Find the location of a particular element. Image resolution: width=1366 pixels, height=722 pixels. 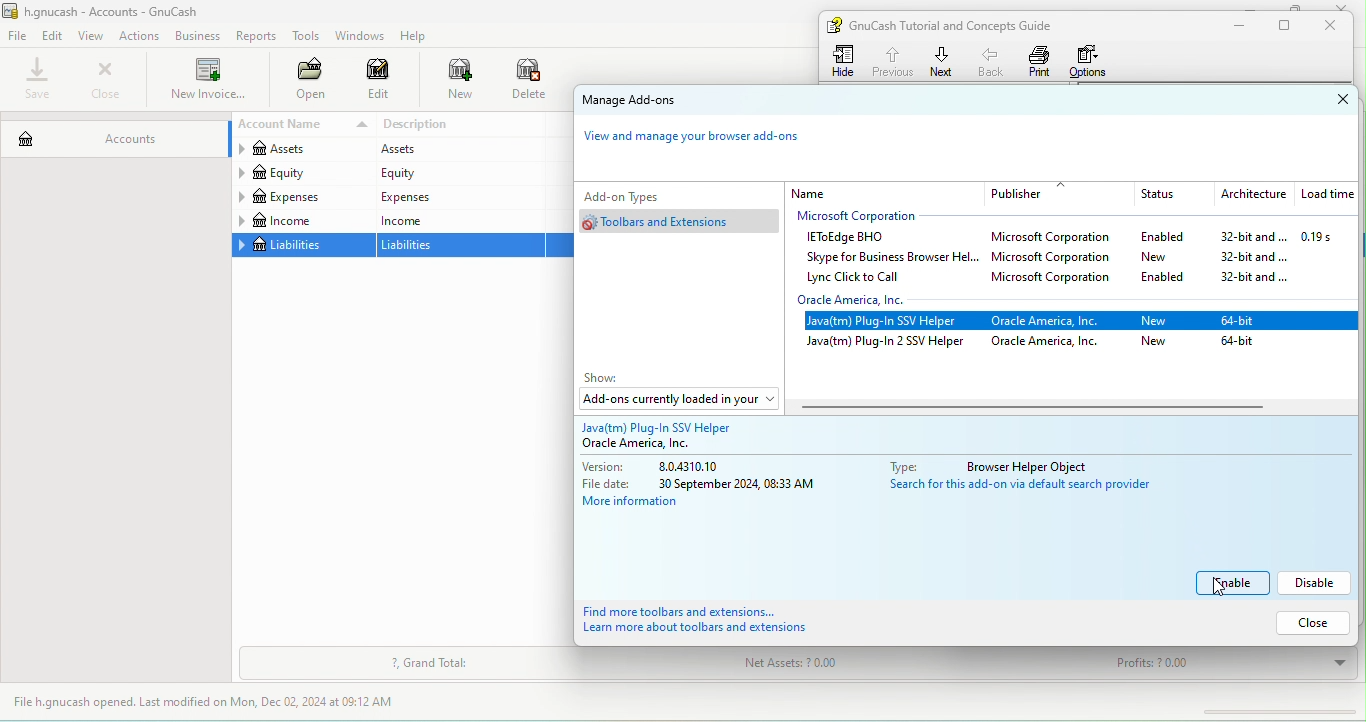

more information is located at coordinates (645, 504).